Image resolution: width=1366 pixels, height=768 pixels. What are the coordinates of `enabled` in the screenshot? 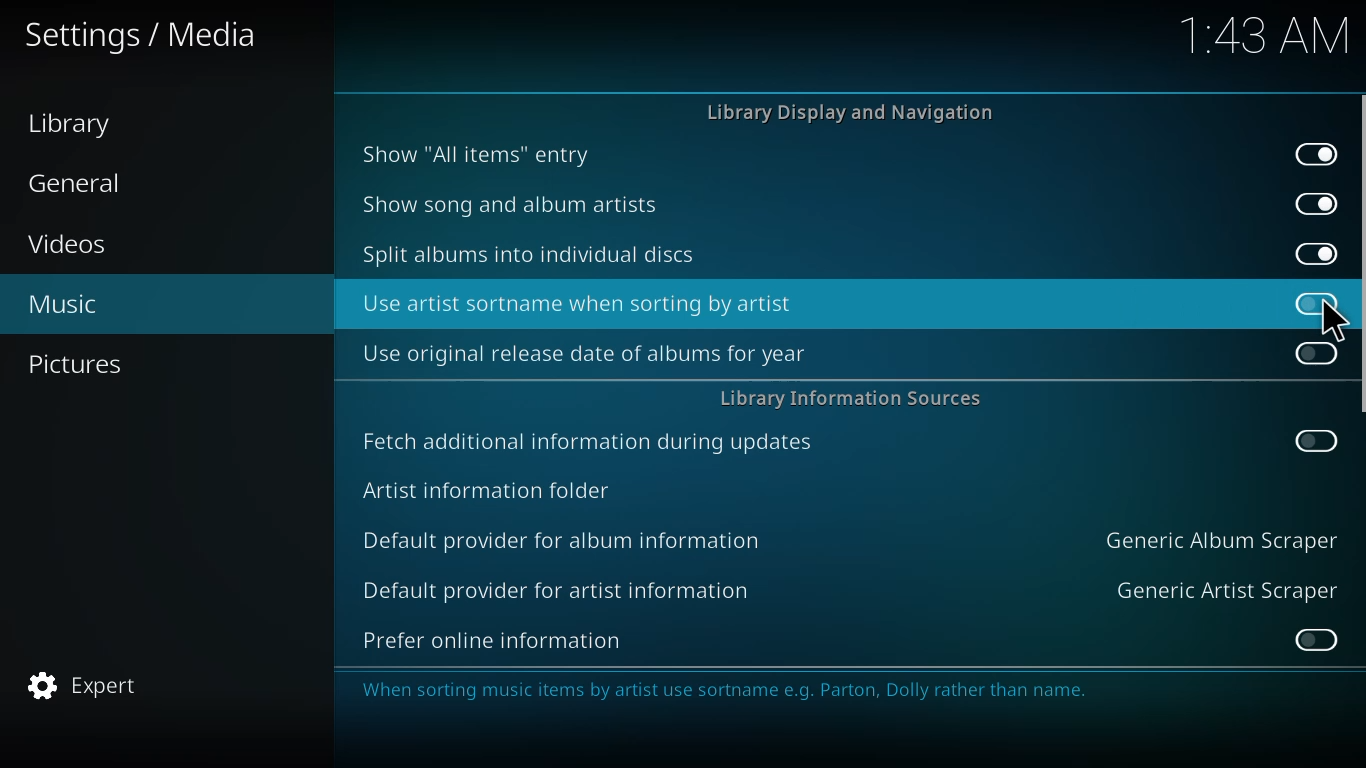 It's located at (1316, 203).